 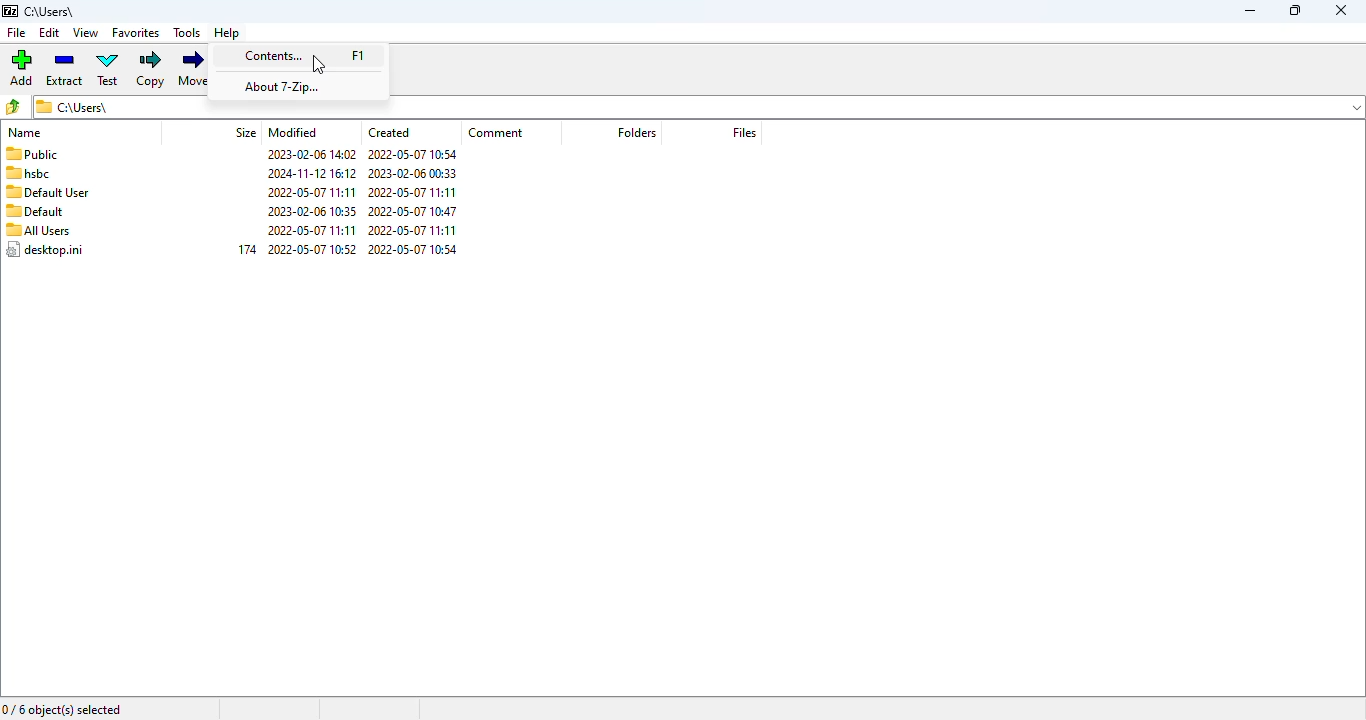 What do you see at coordinates (51, 11) in the screenshot?
I see `folder name` at bounding box center [51, 11].